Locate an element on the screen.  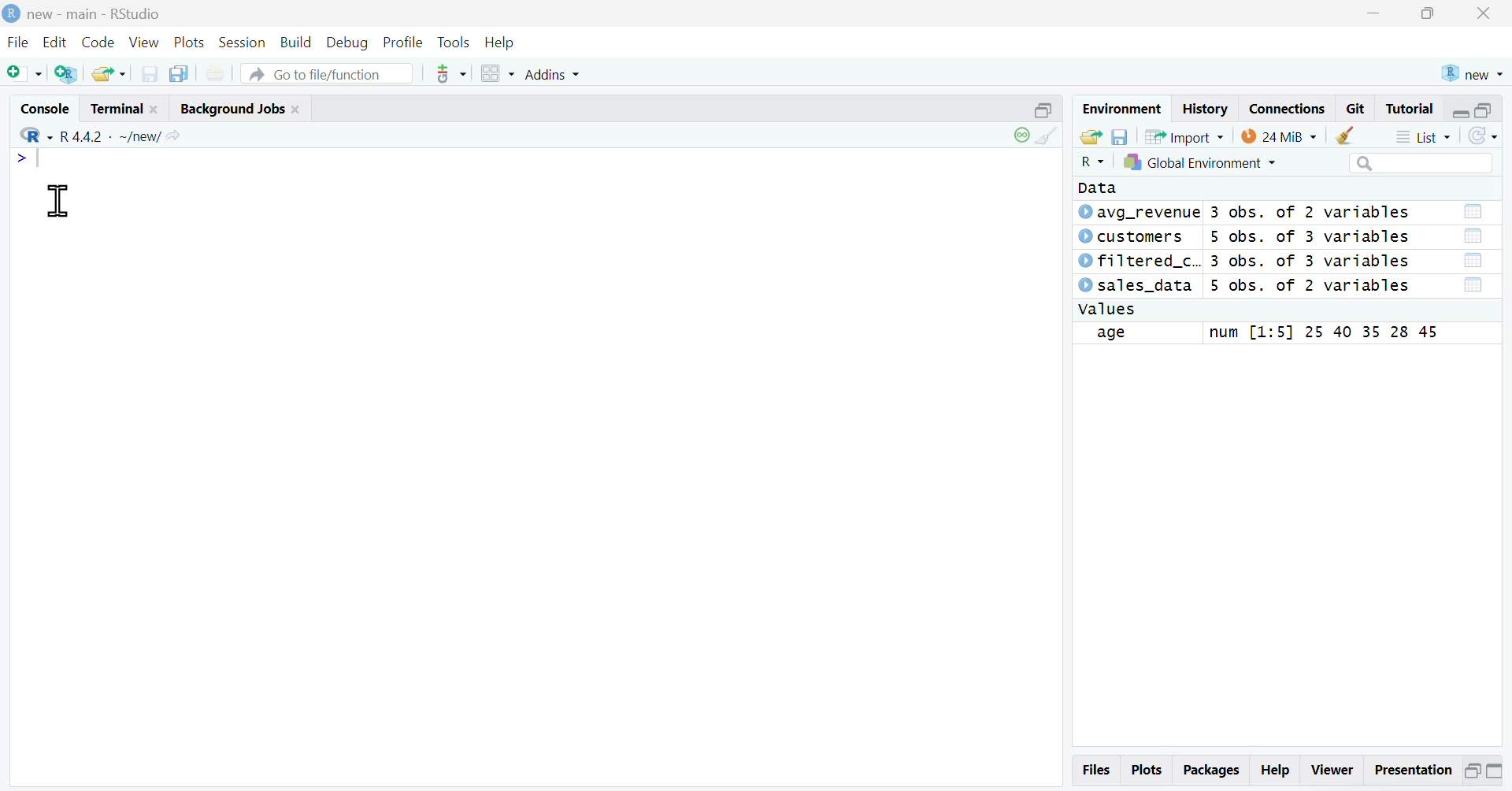
clear console is located at coordinates (1051, 136).